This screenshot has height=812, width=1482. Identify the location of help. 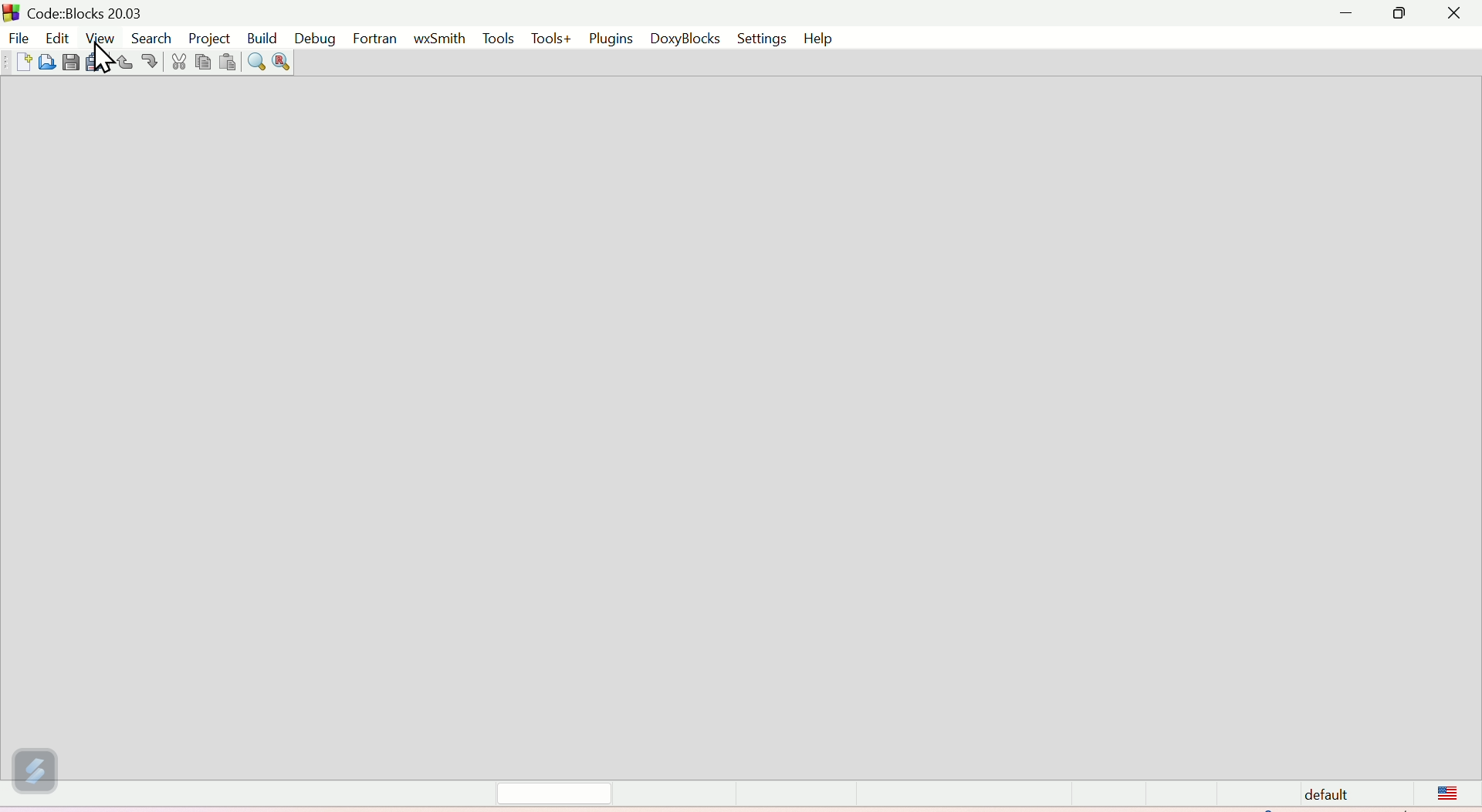
(819, 39).